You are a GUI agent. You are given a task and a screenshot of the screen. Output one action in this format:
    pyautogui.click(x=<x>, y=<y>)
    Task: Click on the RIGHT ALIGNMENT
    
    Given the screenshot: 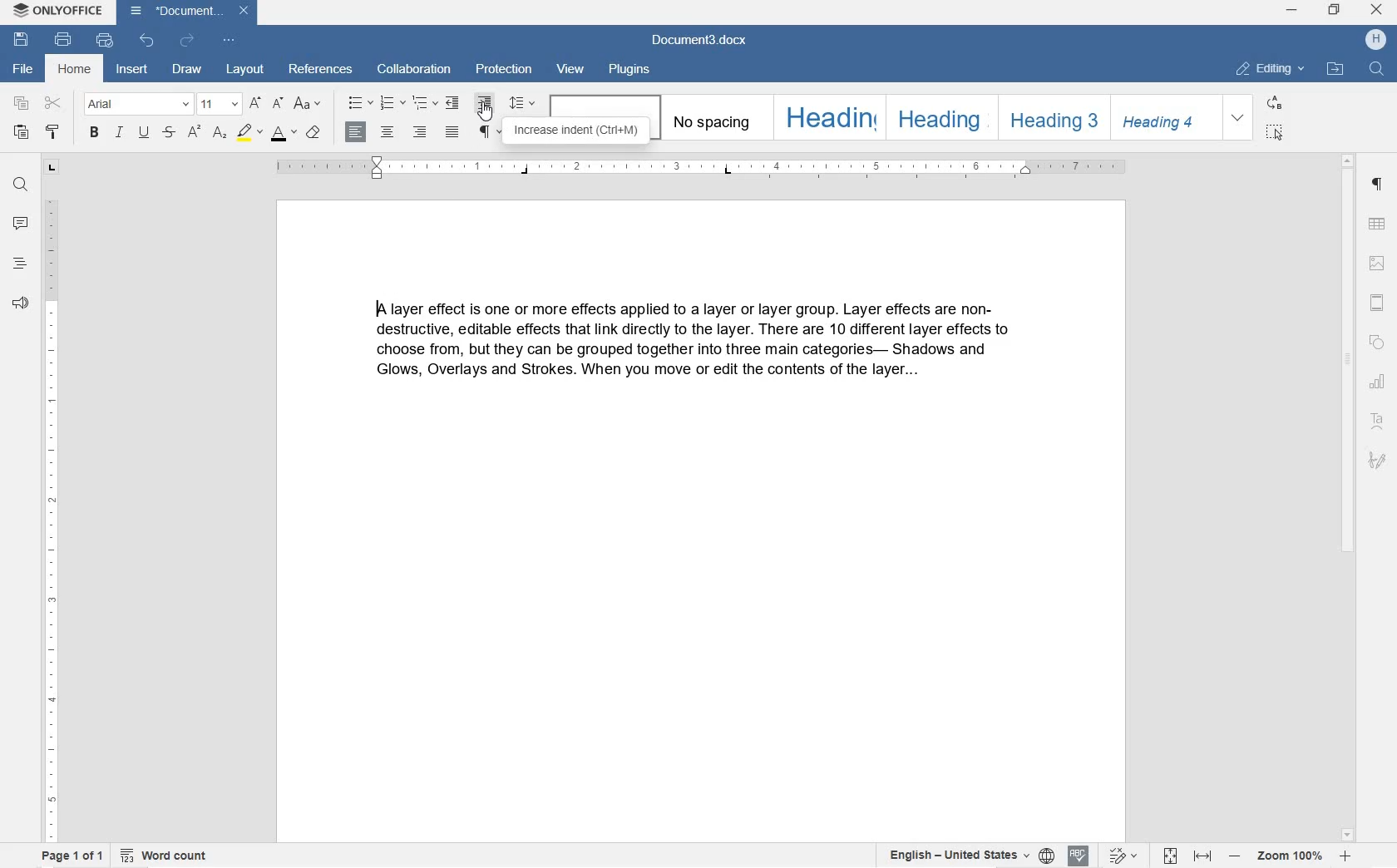 What is the action you would take?
    pyautogui.click(x=419, y=133)
    